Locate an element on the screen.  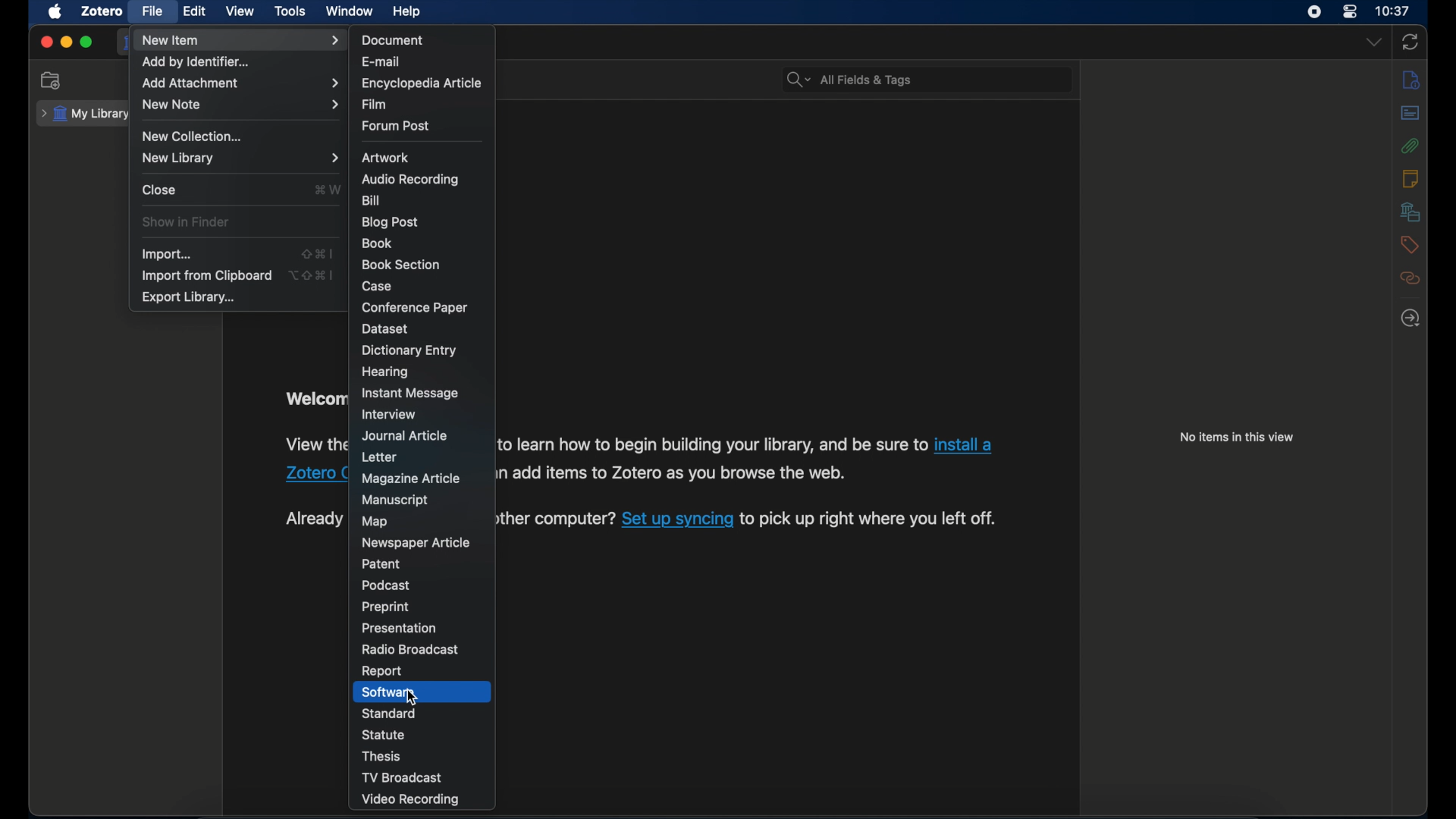
dropdown is located at coordinates (1375, 43).